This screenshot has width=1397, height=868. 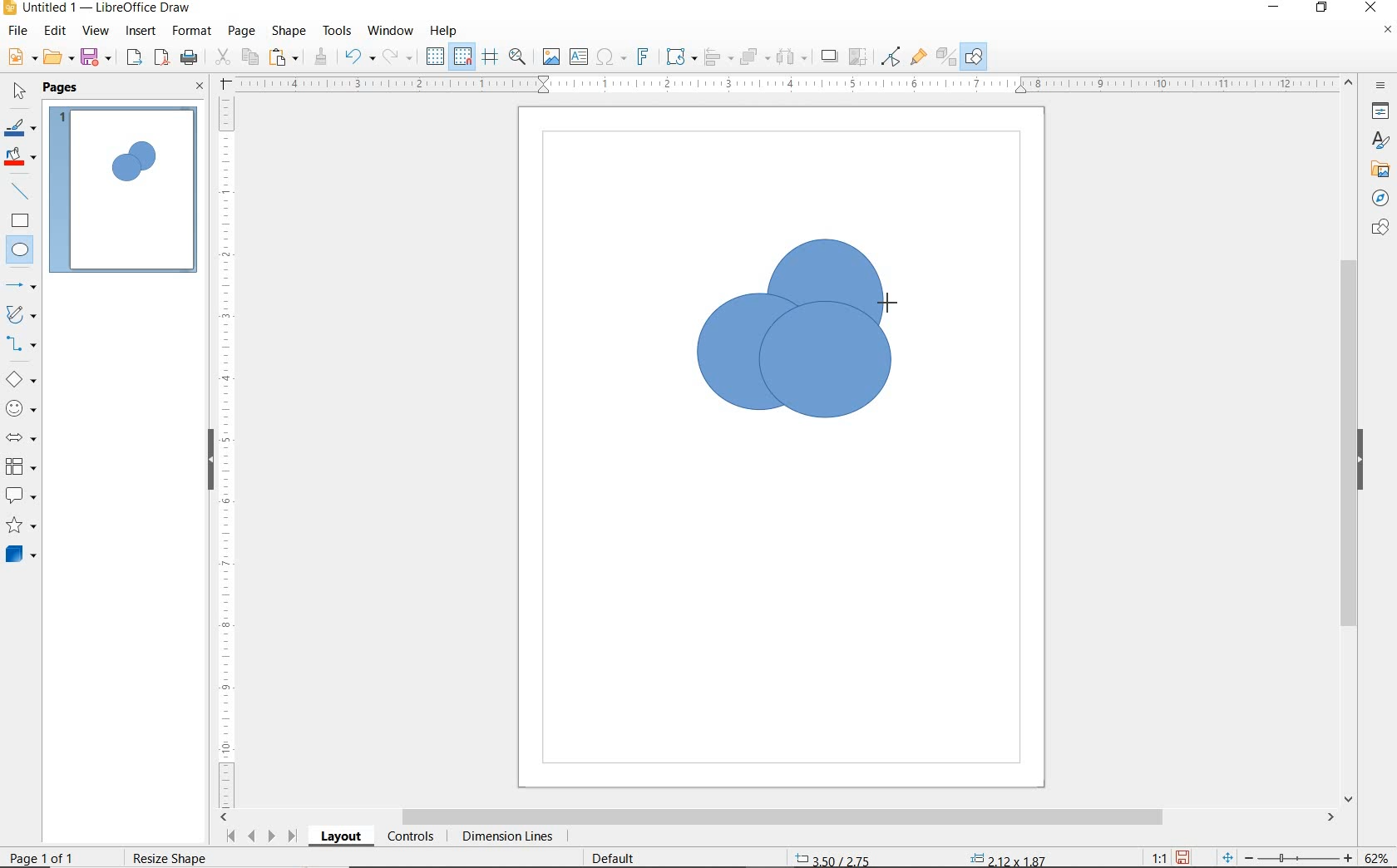 What do you see at coordinates (1370, 6) in the screenshot?
I see `CLOSE` at bounding box center [1370, 6].